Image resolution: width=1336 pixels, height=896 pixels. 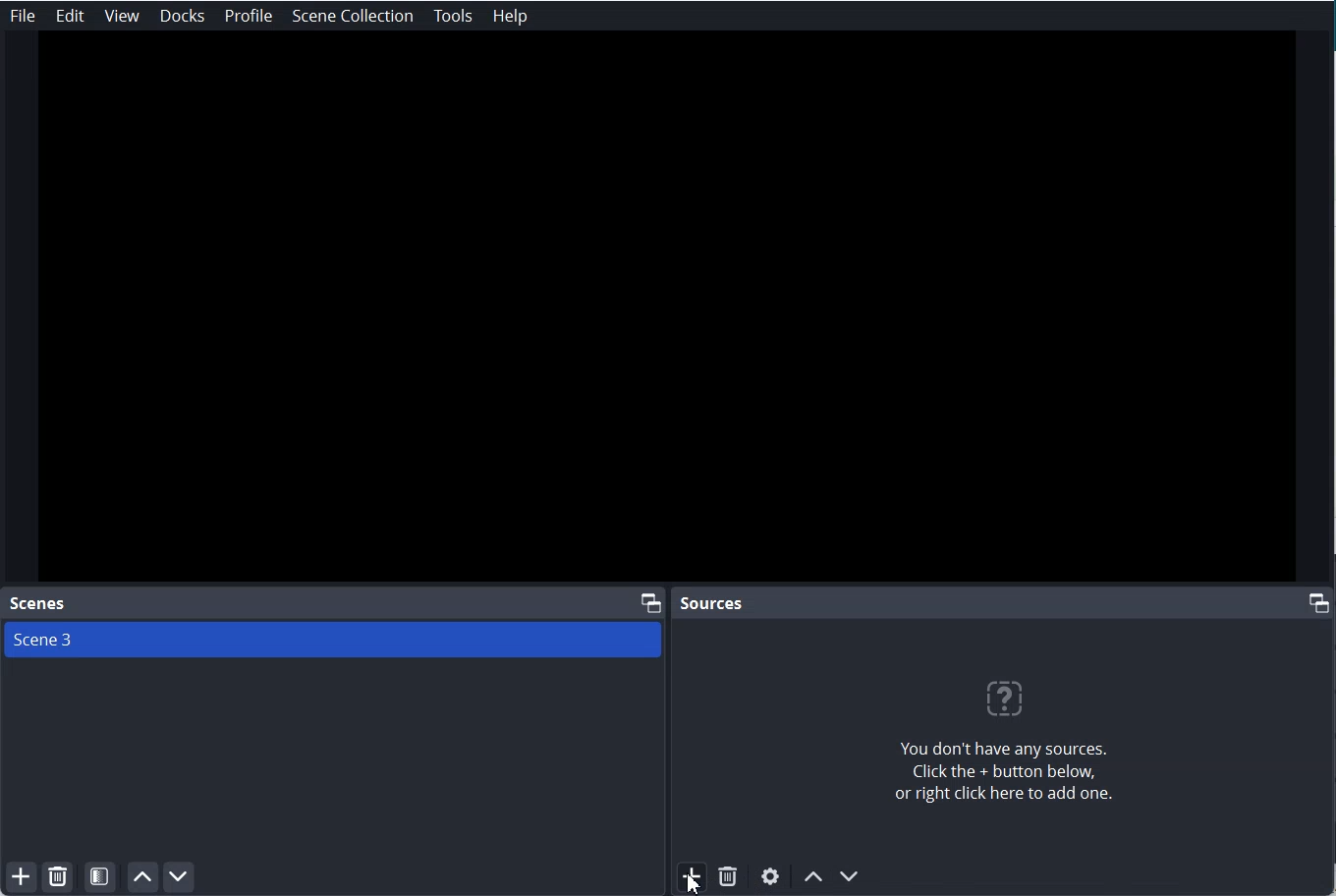 What do you see at coordinates (181, 877) in the screenshot?
I see `Move scene Down` at bounding box center [181, 877].